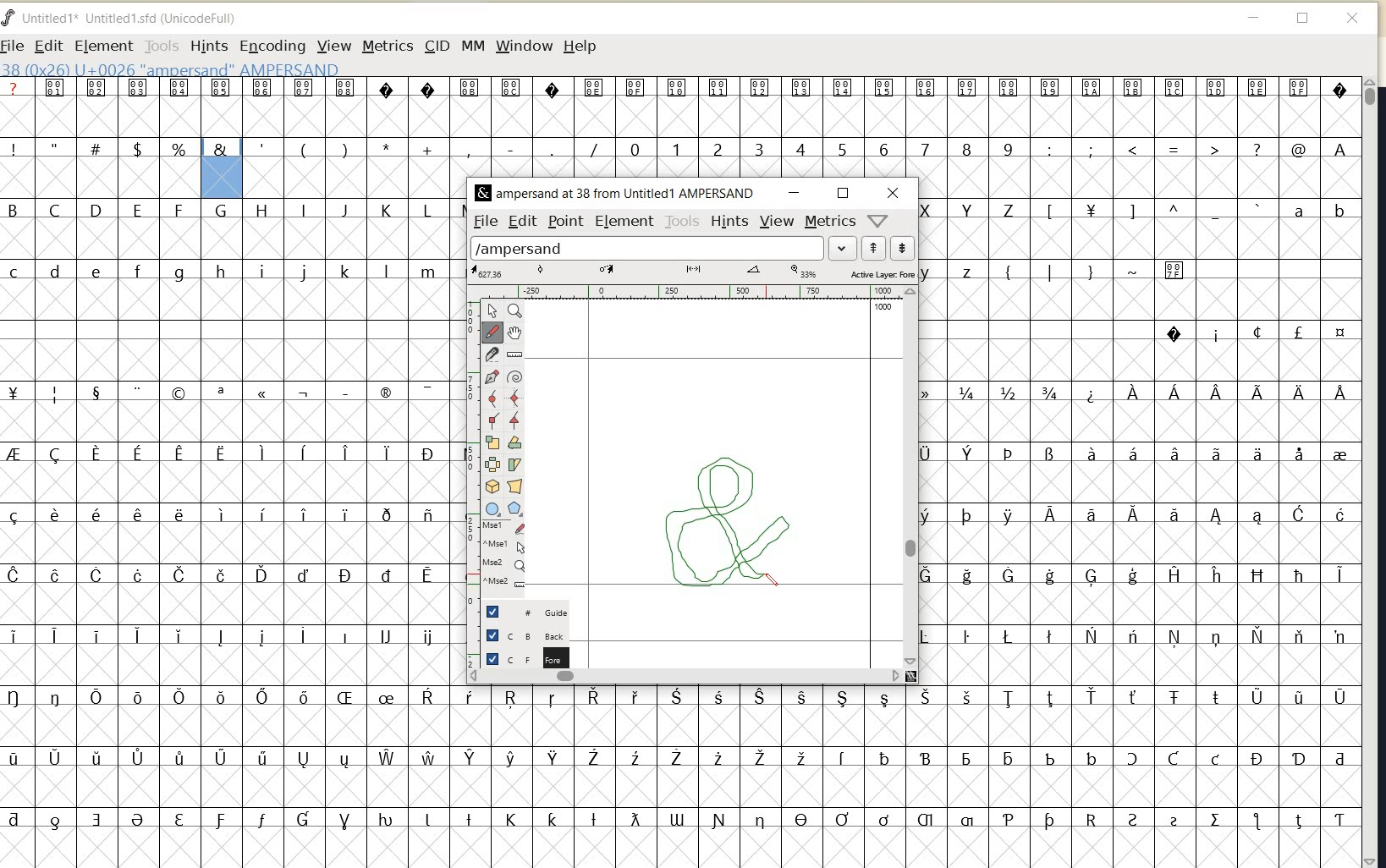 This screenshot has height=868, width=1386. What do you see at coordinates (493, 310) in the screenshot?
I see `pointer` at bounding box center [493, 310].